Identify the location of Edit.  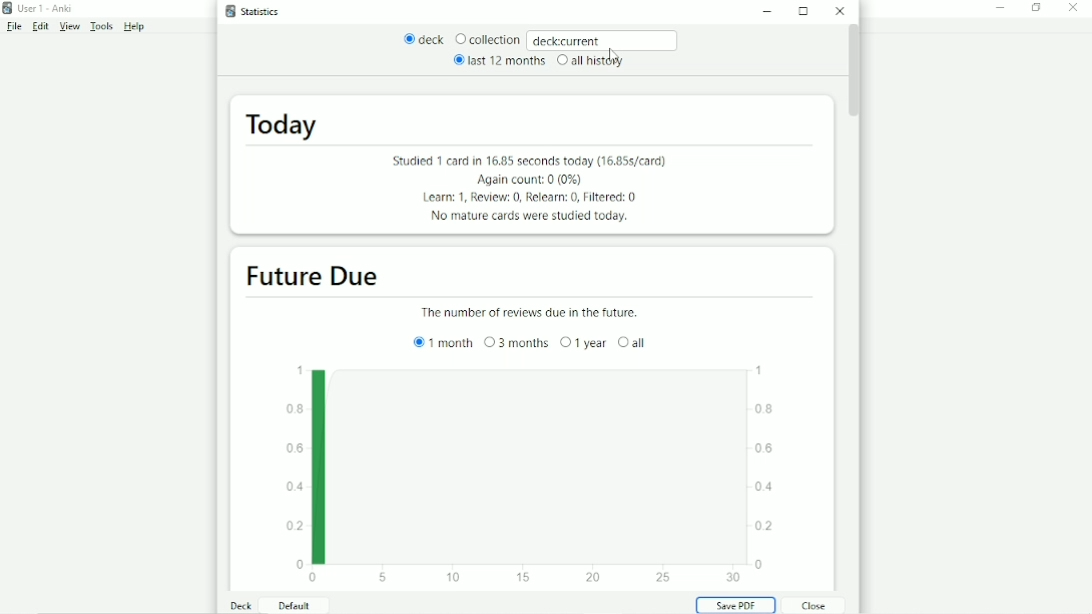
(38, 28).